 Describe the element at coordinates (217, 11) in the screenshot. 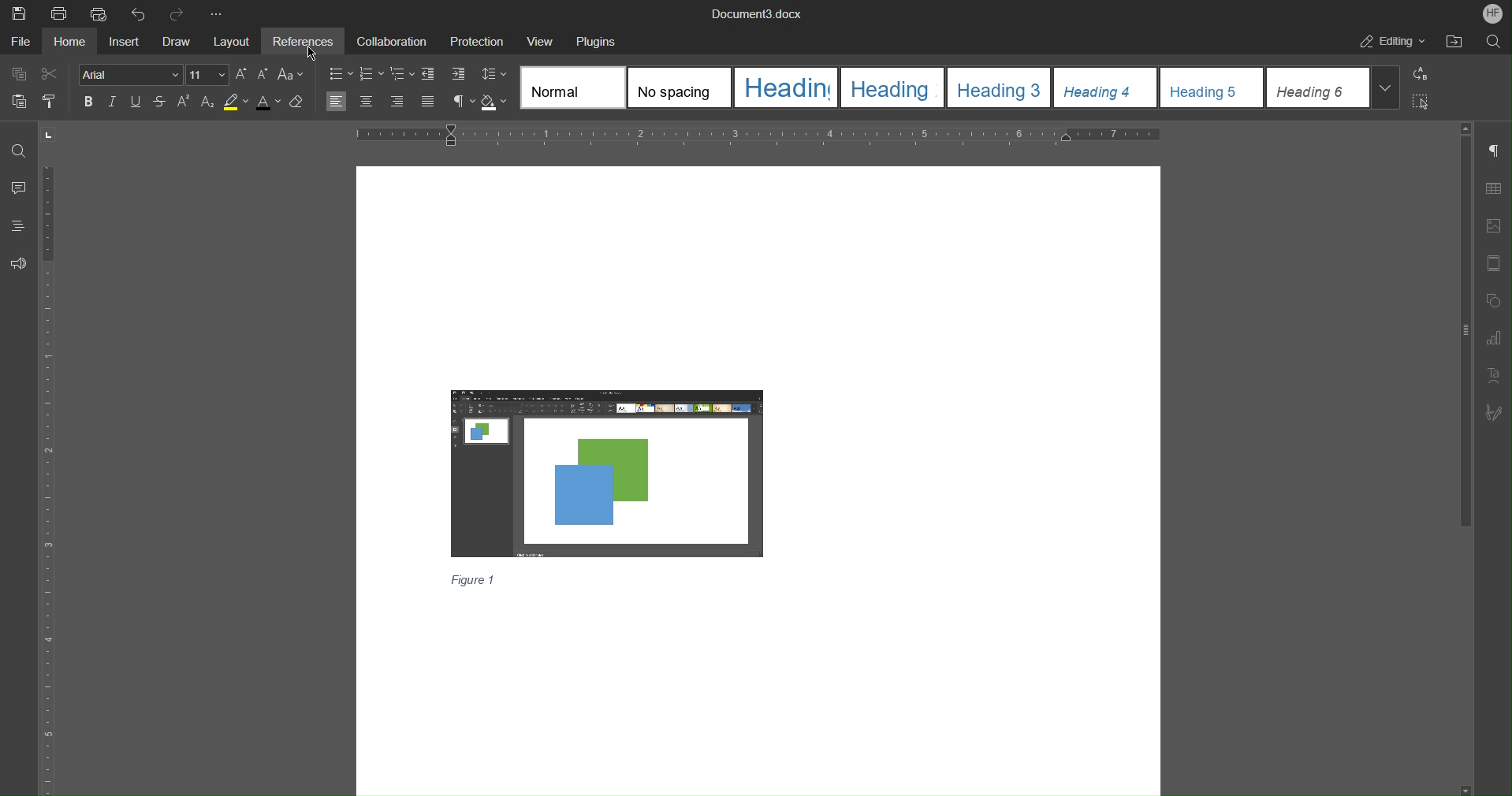

I see `More` at that location.